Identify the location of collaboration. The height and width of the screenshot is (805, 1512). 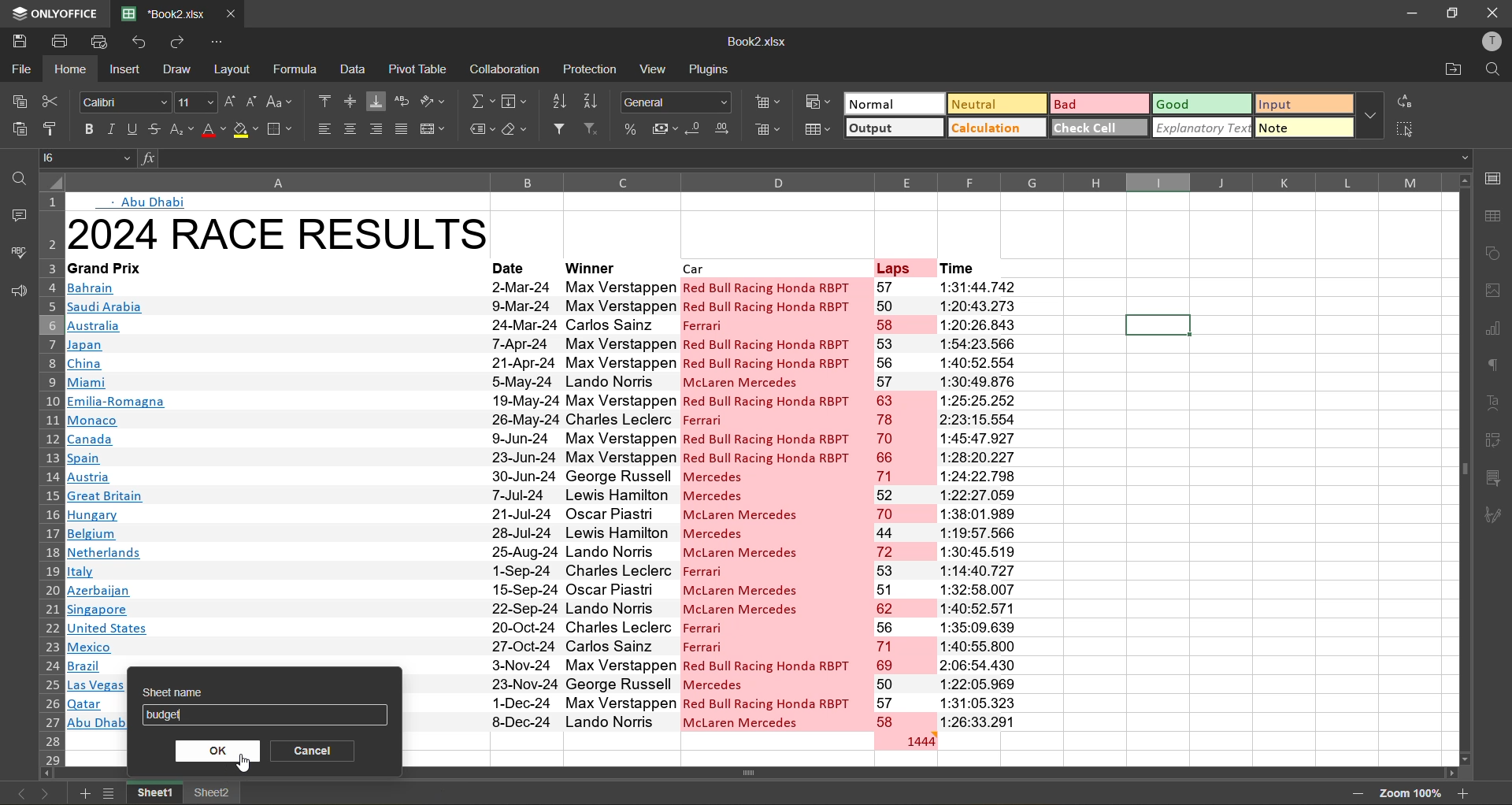
(502, 70).